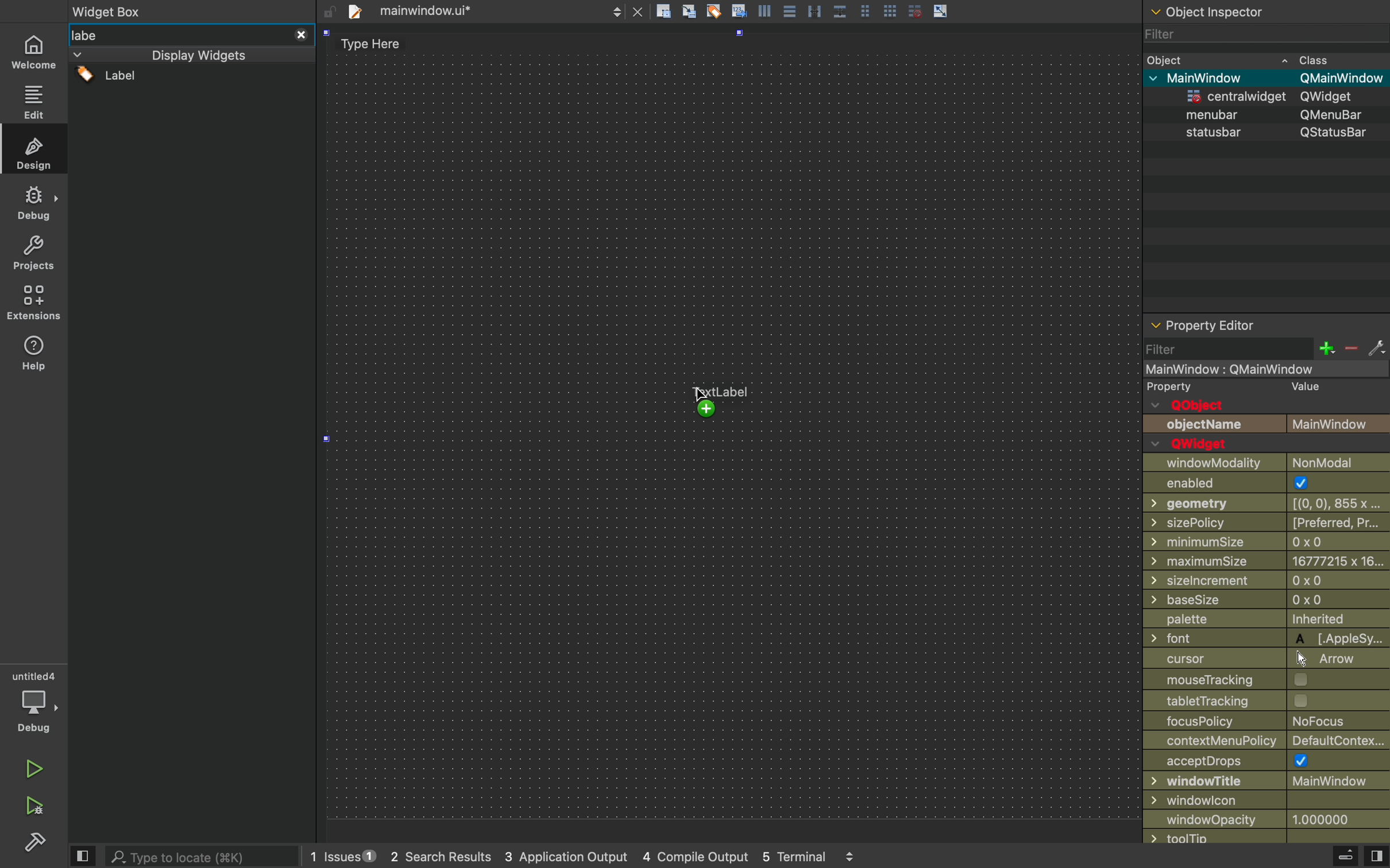 This screenshot has width=1390, height=868. Describe the element at coordinates (33, 204) in the screenshot. I see `debug` at that location.